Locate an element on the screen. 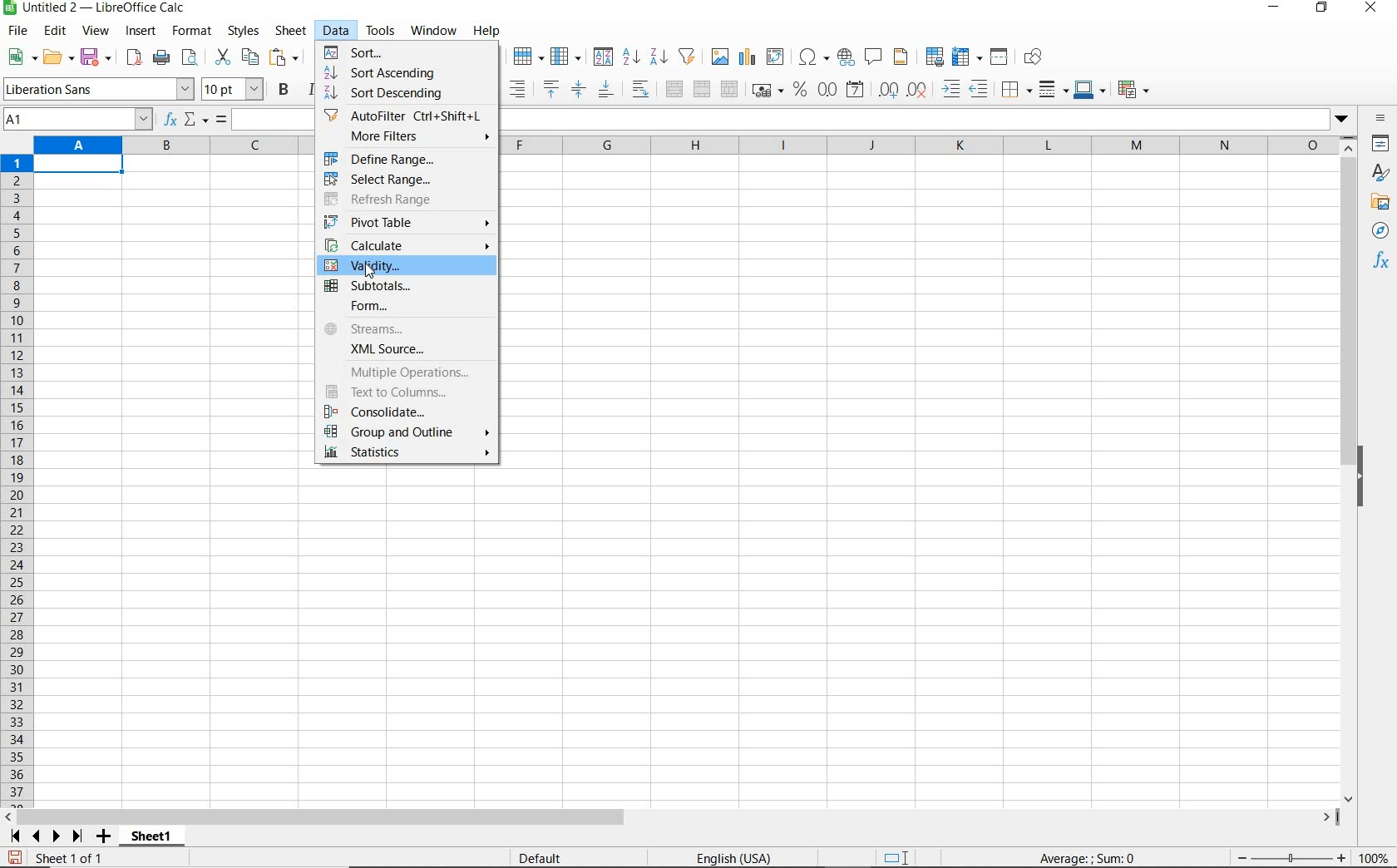 This screenshot has width=1397, height=868. format is located at coordinates (190, 31).